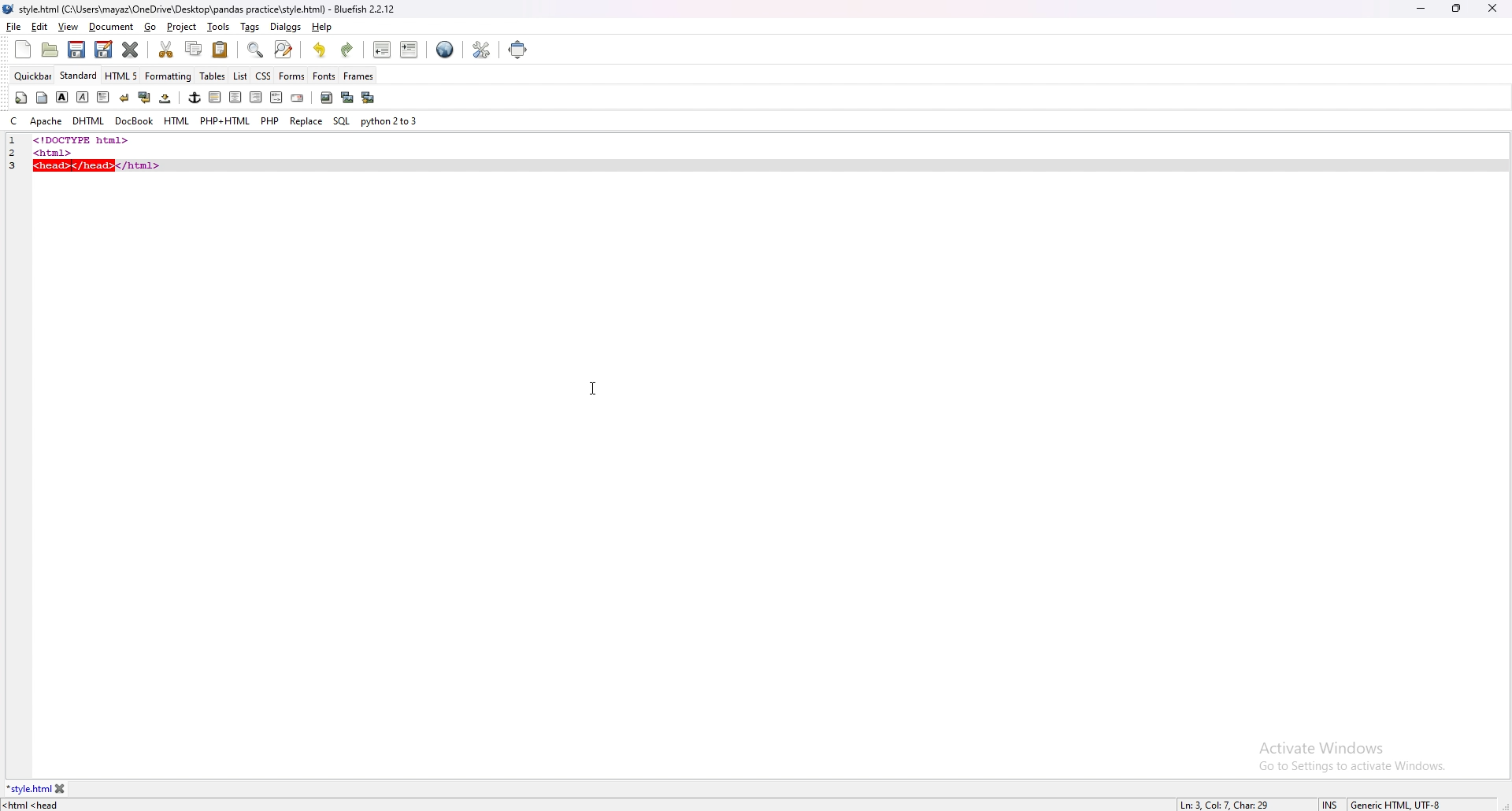  Describe the element at coordinates (100, 161) in the screenshot. I see `code` at that location.